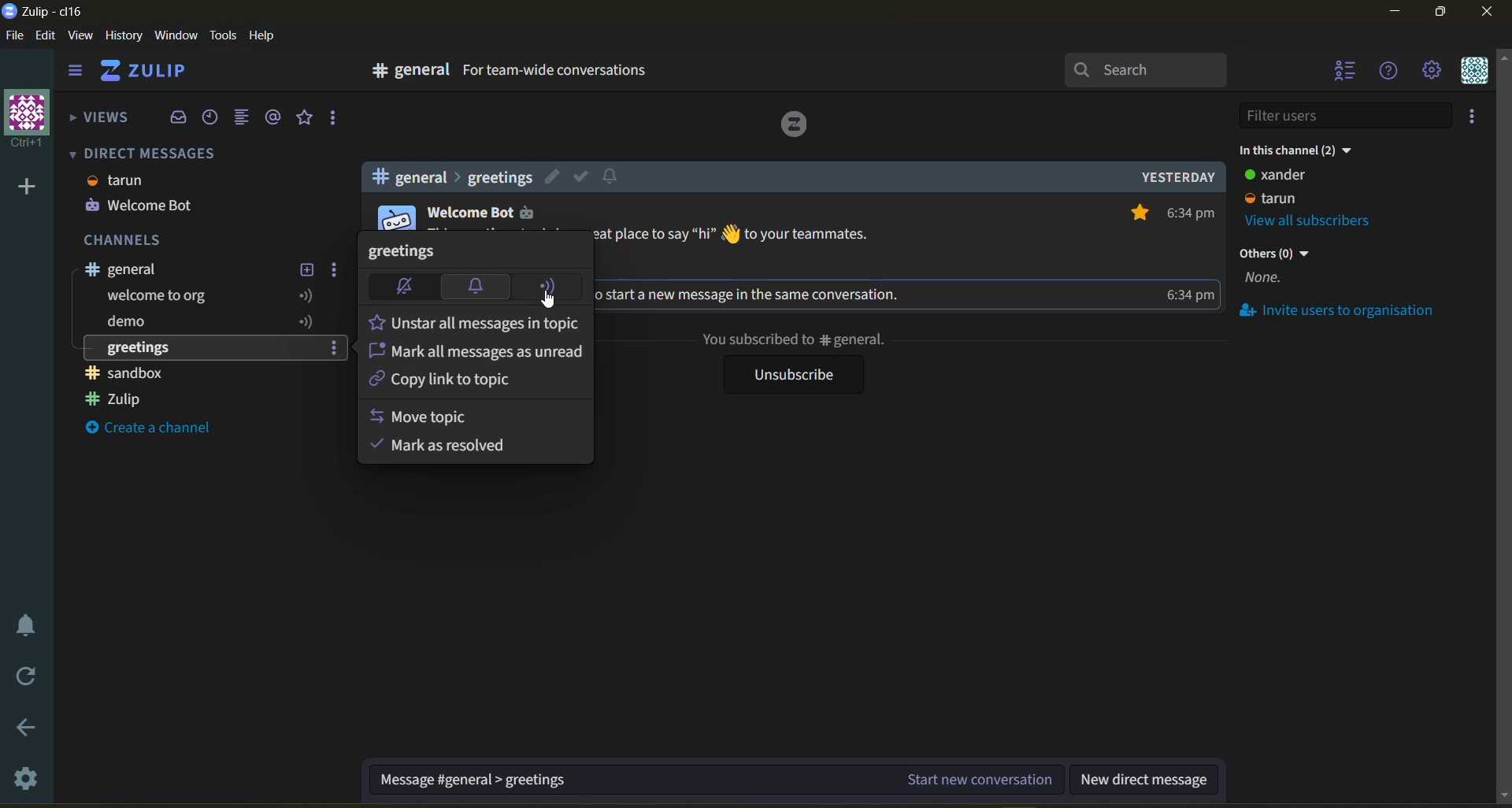  What do you see at coordinates (15, 37) in the screenshot?
I see `file` at bounding box center [15, 37].